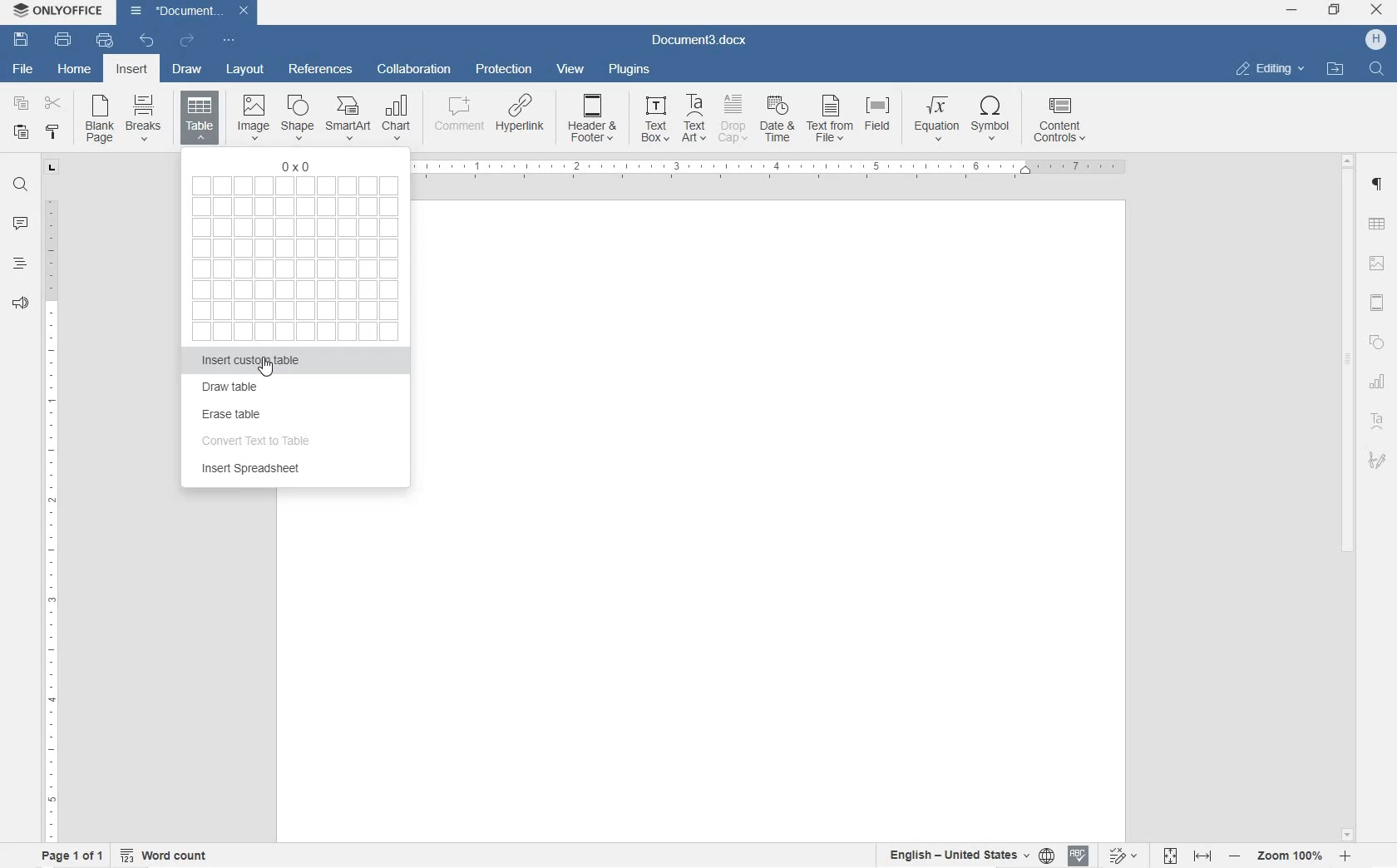  Describe the element at coordinates (190, 11) in the screenshot. I see `Document3.docx` at that location.